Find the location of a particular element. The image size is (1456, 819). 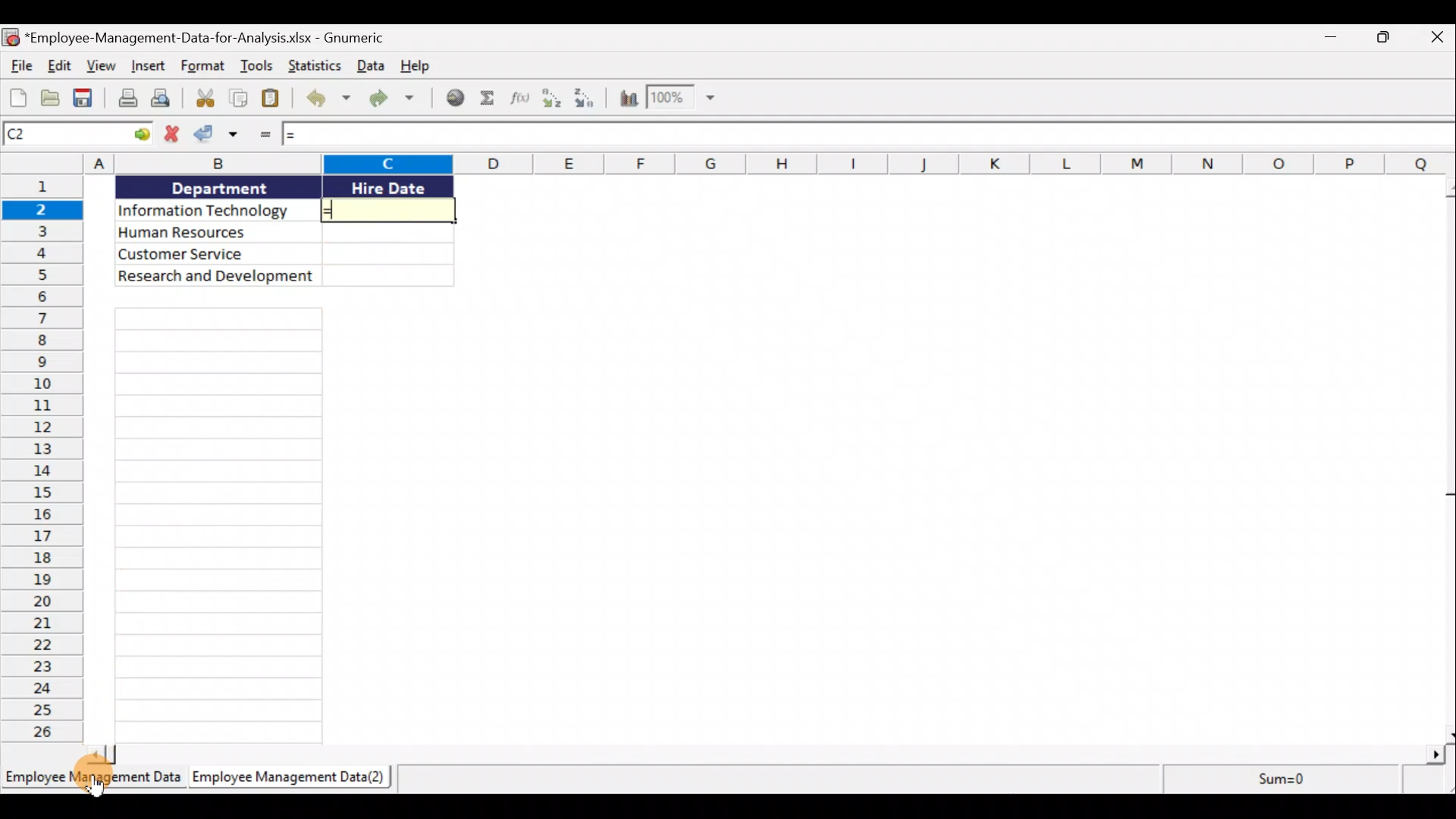

Scroll bar is located at coordinates (1446, 459).